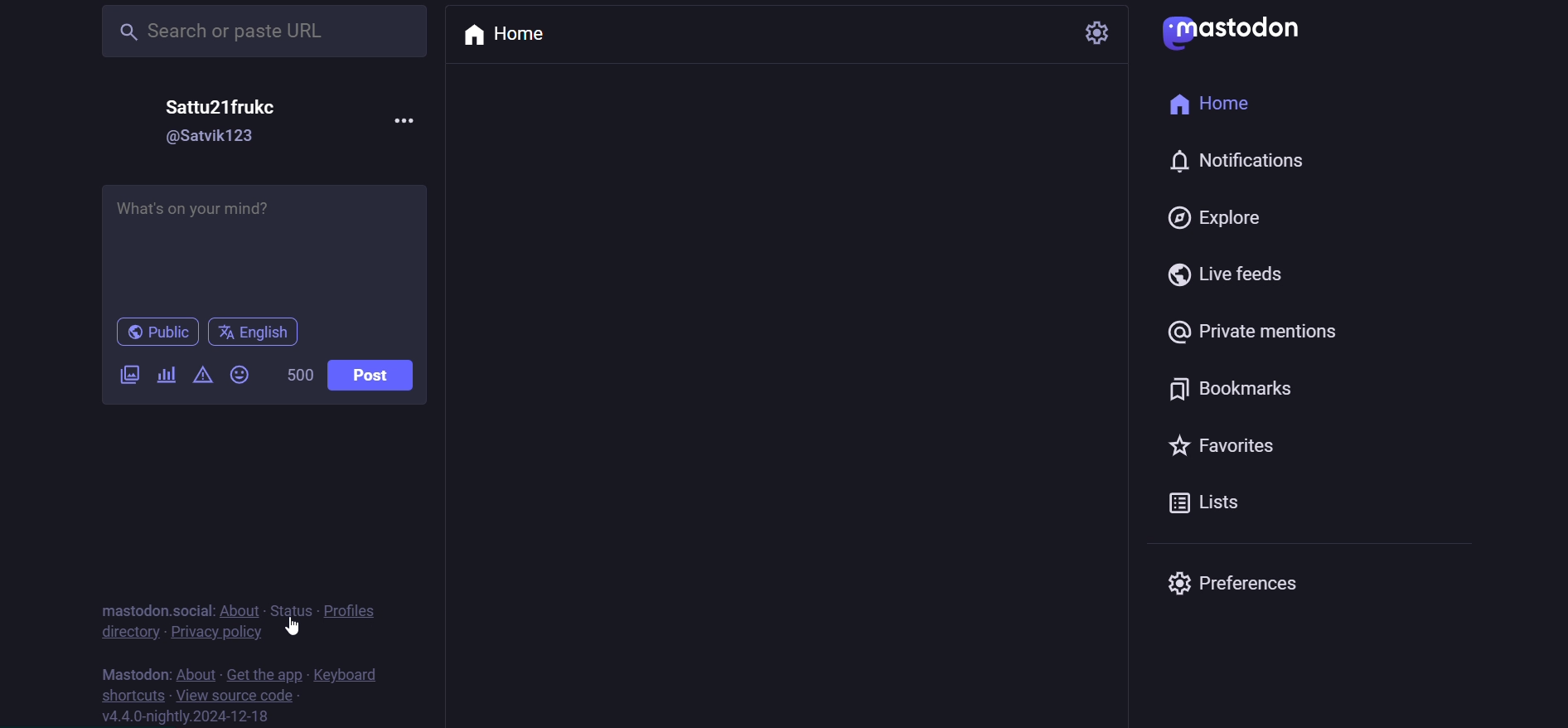  What do you see at coordinates (257, 331) in the screenshot?
I see `english` at bounding box center [257, 331].